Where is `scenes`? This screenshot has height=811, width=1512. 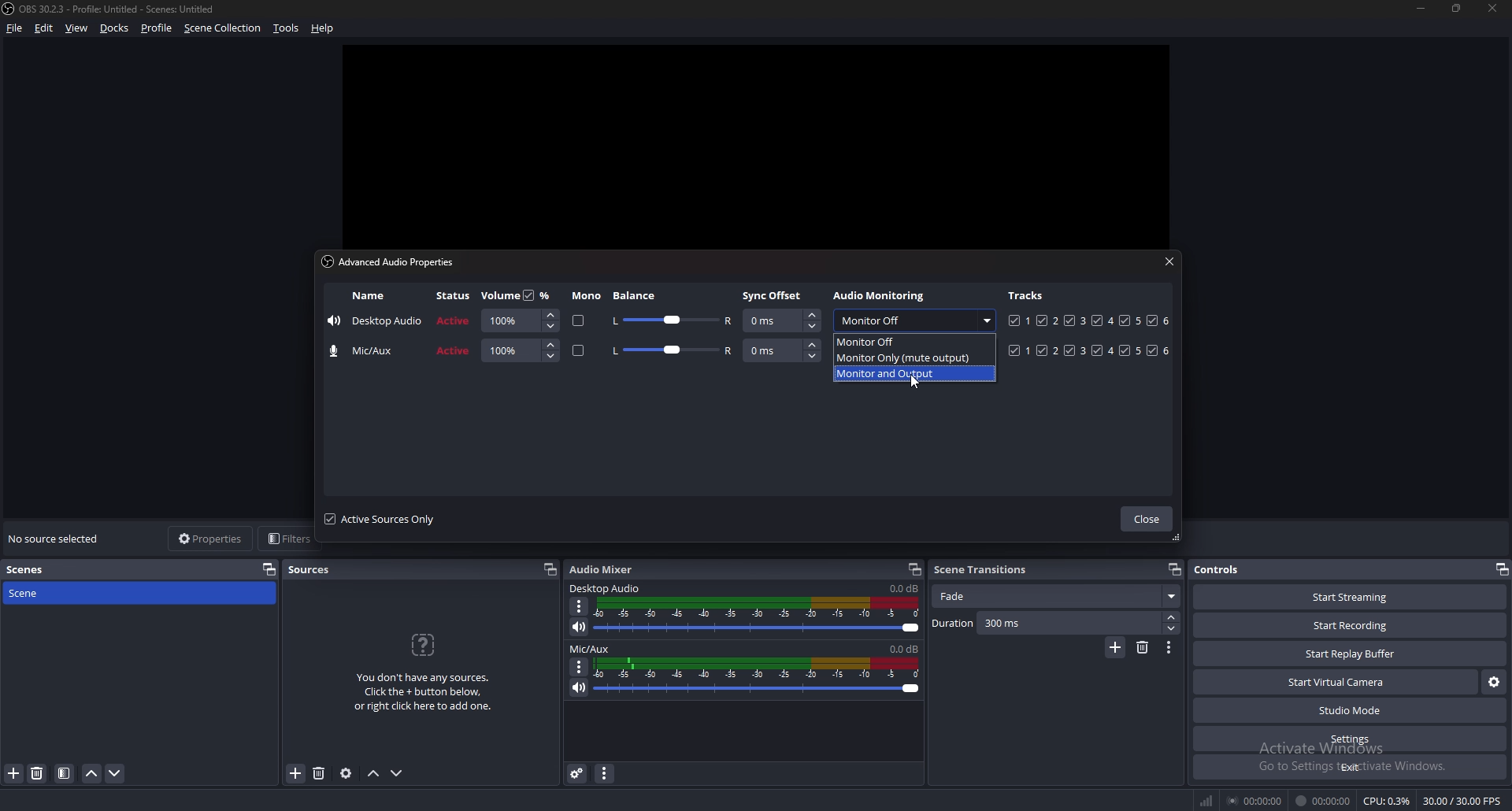 scenes is located at coordinates (41, 568).